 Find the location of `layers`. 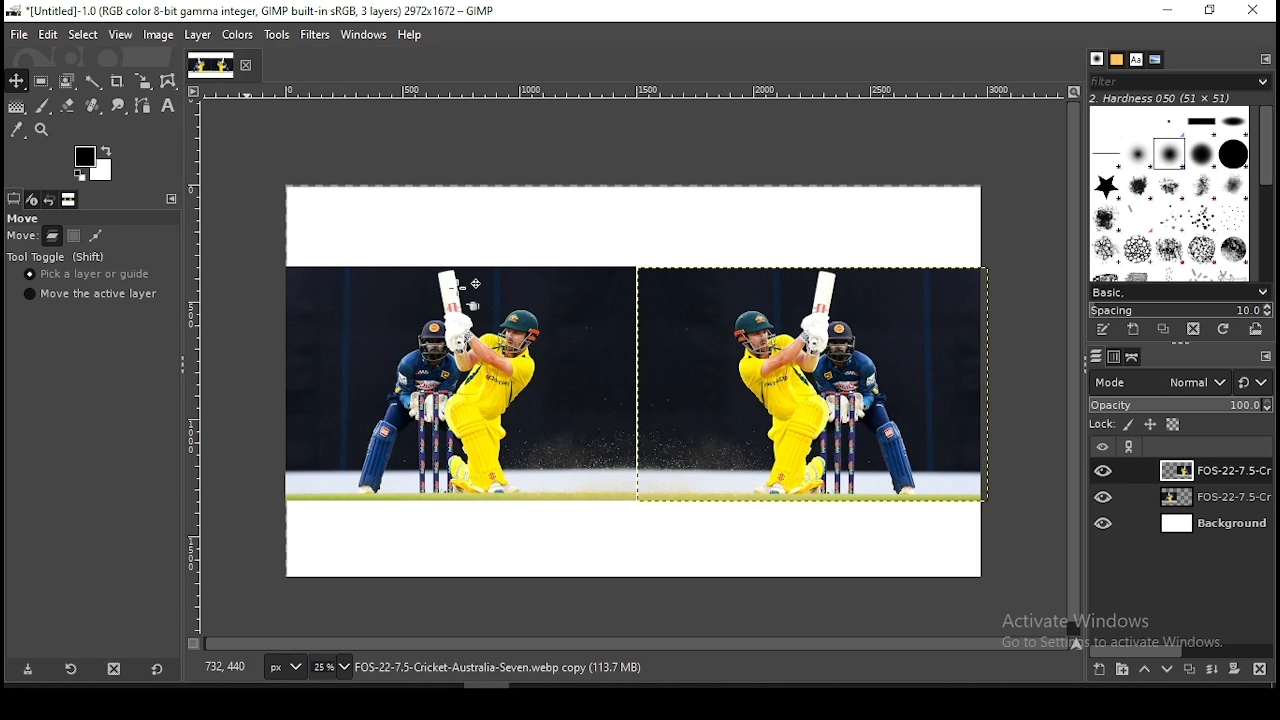

layers is located at coordinates (1094, 357).